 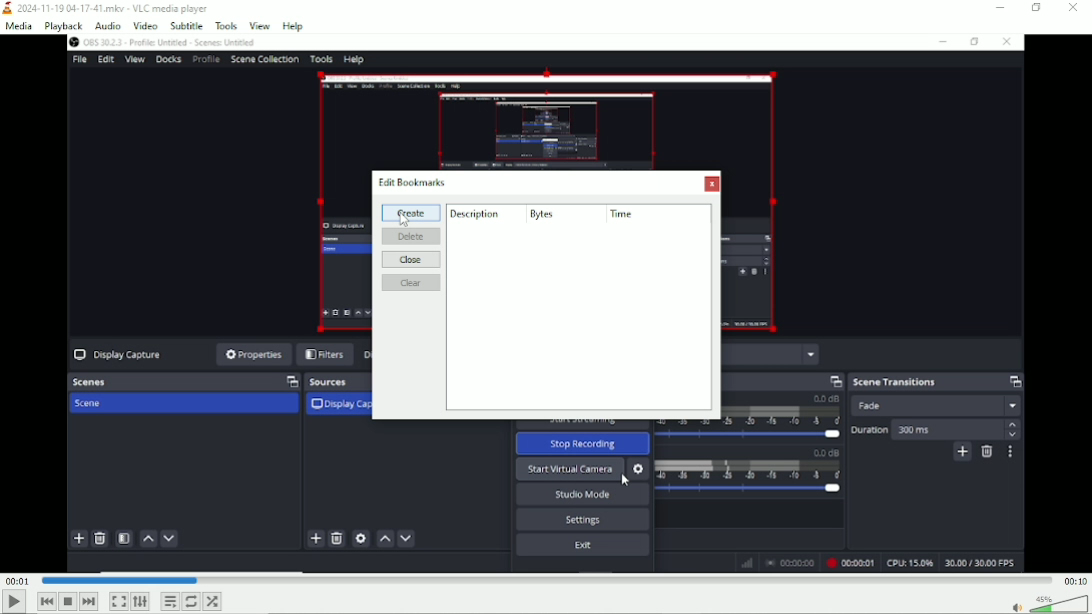 What do you see at coordinates (712, 185) in the screenshot?
I see `Close` at bounding box center [712, 185].